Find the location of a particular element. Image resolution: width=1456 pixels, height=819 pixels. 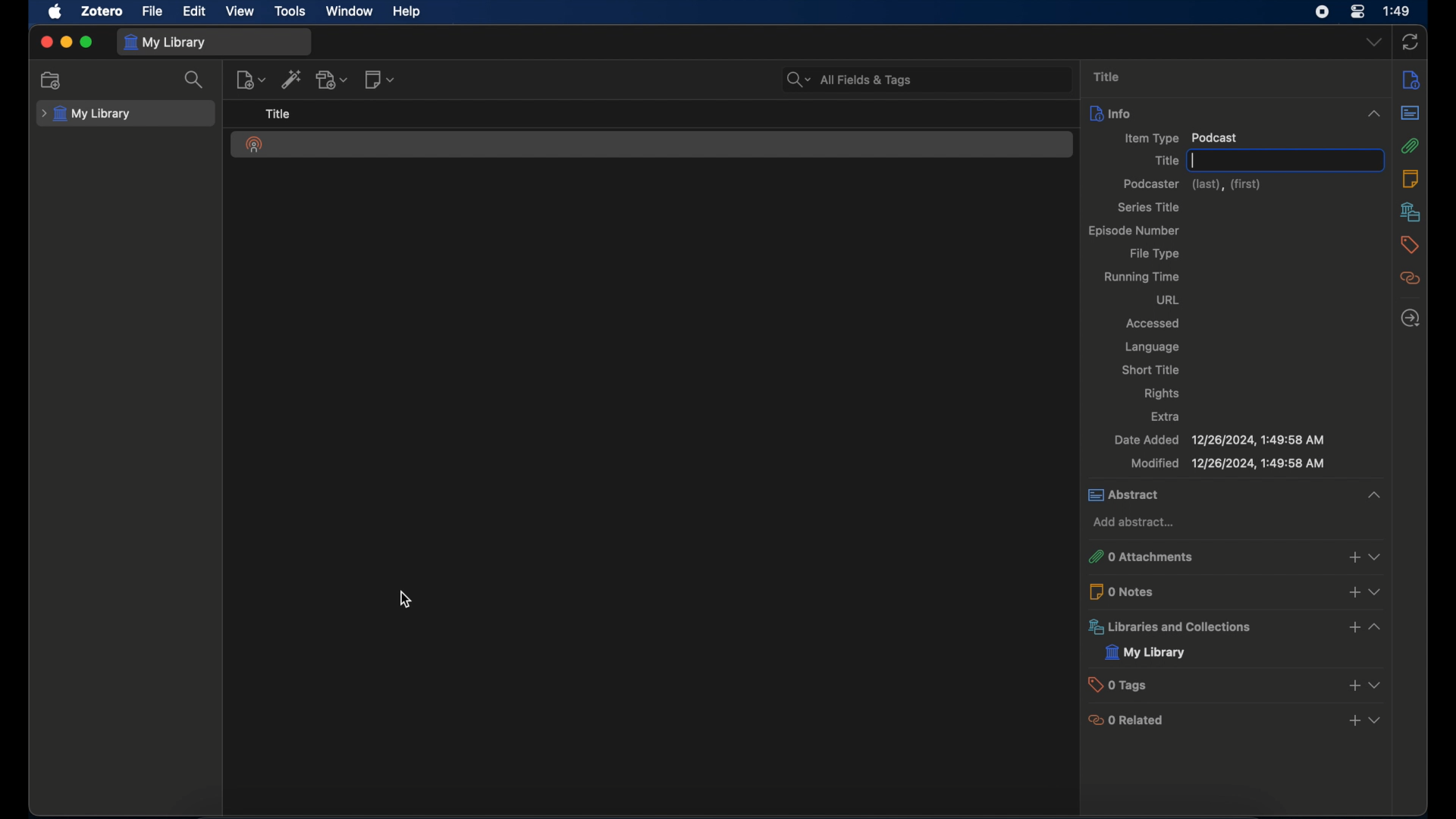

search is located at coordinates (193, 80).